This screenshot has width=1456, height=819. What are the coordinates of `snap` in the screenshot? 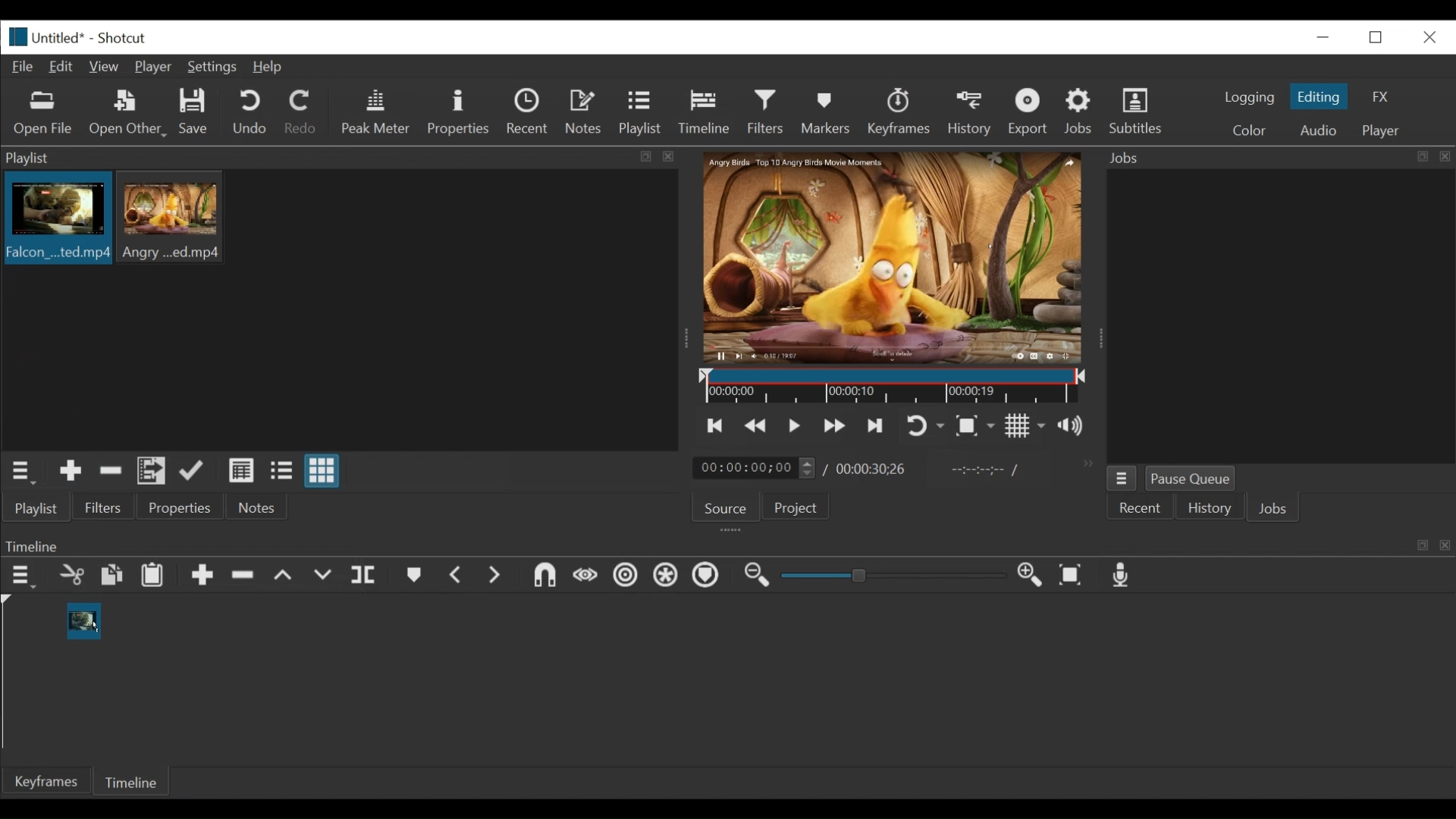 It's located at (547, 577).